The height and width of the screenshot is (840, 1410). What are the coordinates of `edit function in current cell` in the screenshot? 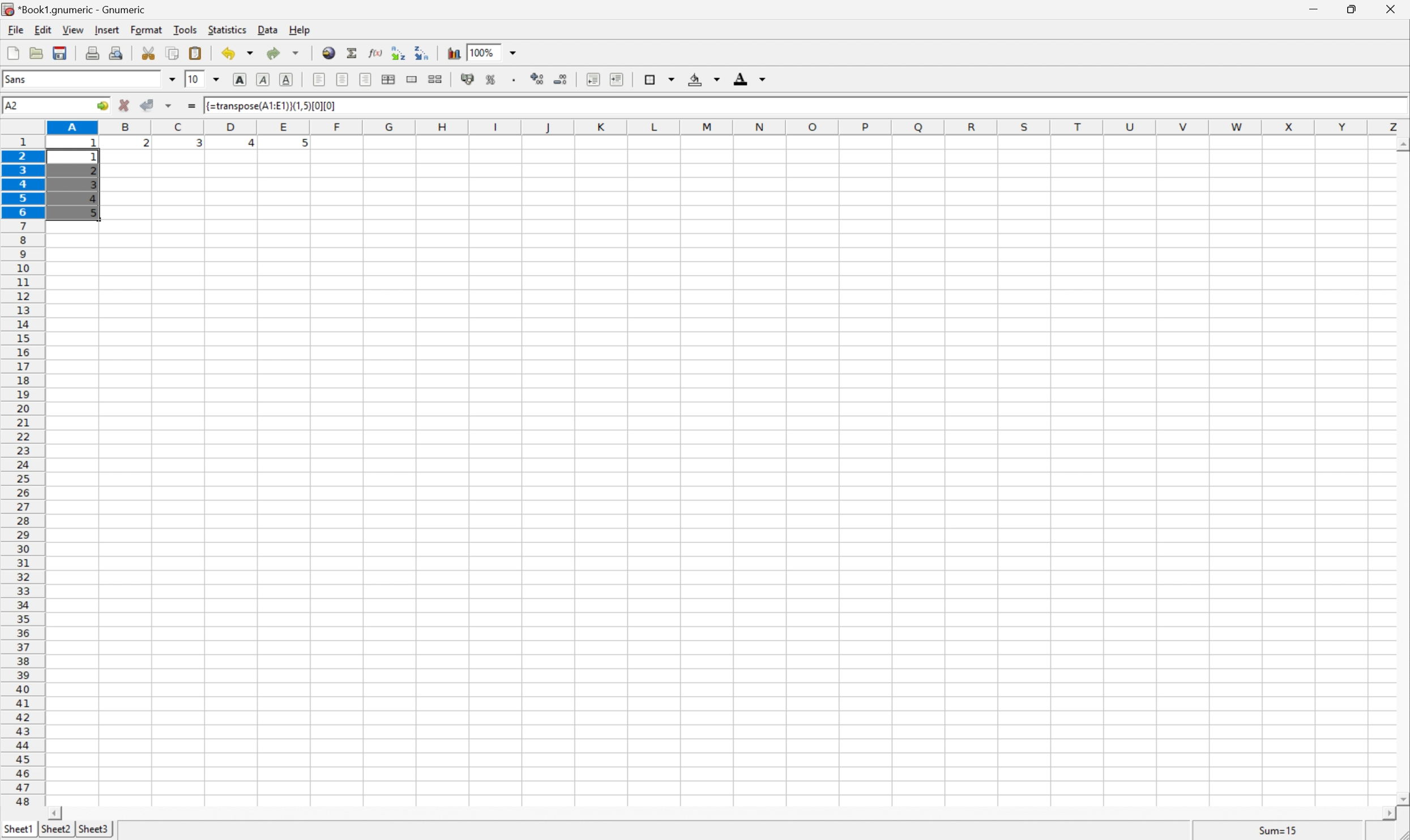 It's located at (377, 54).